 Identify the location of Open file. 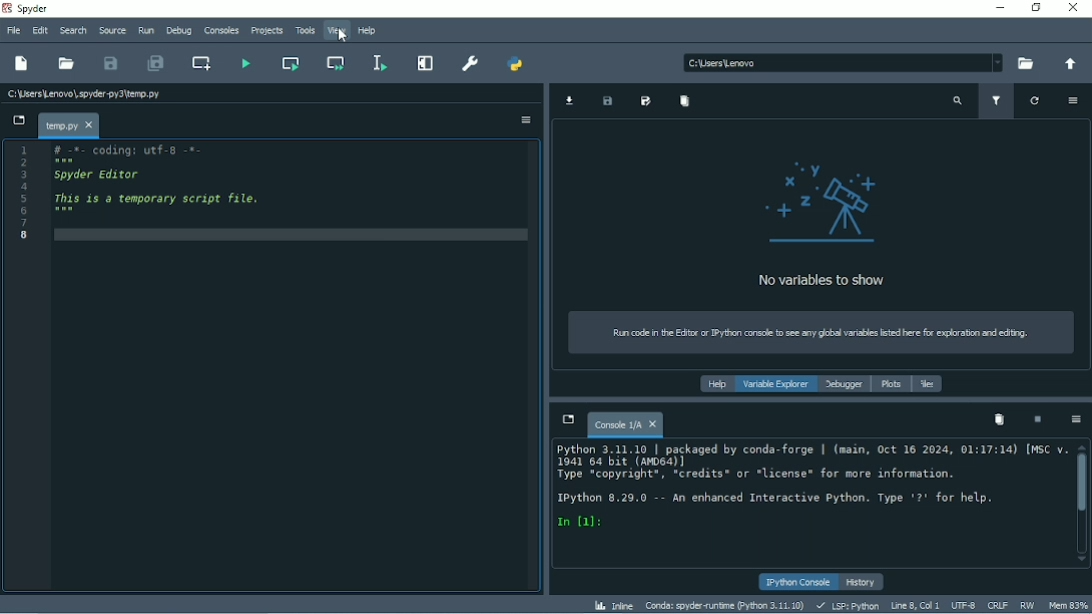
(67, 63).